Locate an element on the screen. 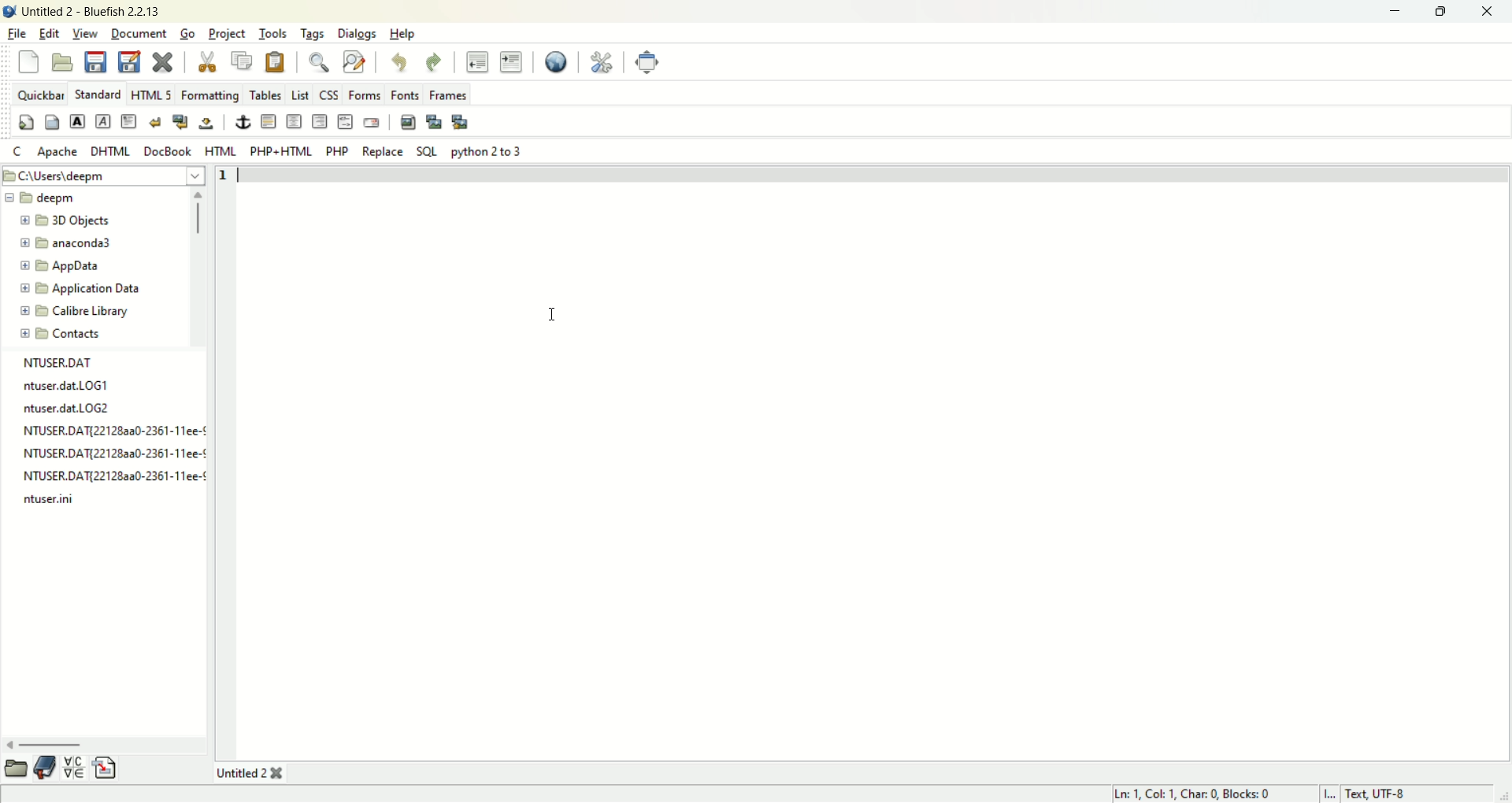 This screenshot has width=1512, height=803. frames is located at coordinates (449, 94).